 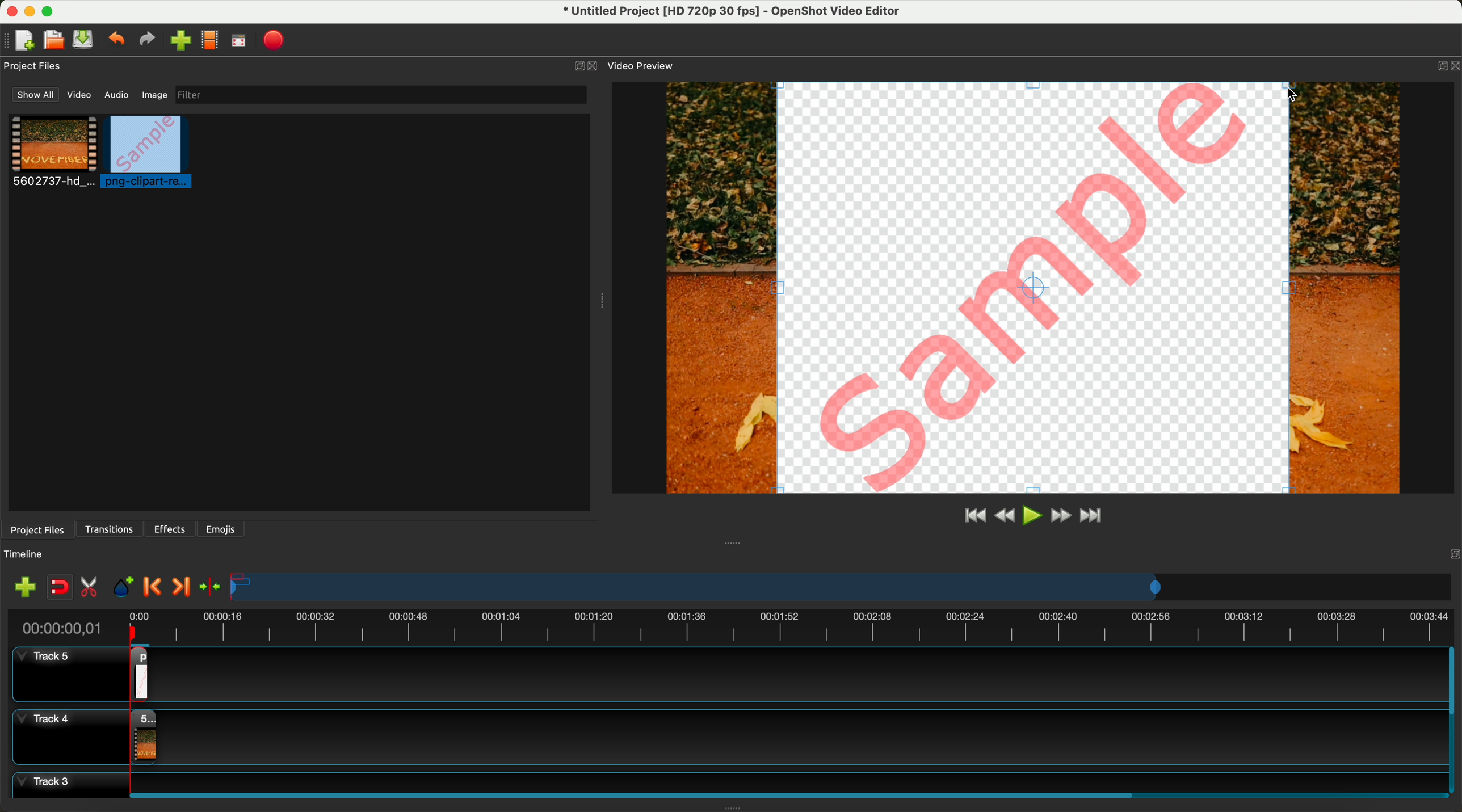 What do you see at coordinates (111, 529) in the screenshot?
I see `transitions` at bounding box center [111, 529].